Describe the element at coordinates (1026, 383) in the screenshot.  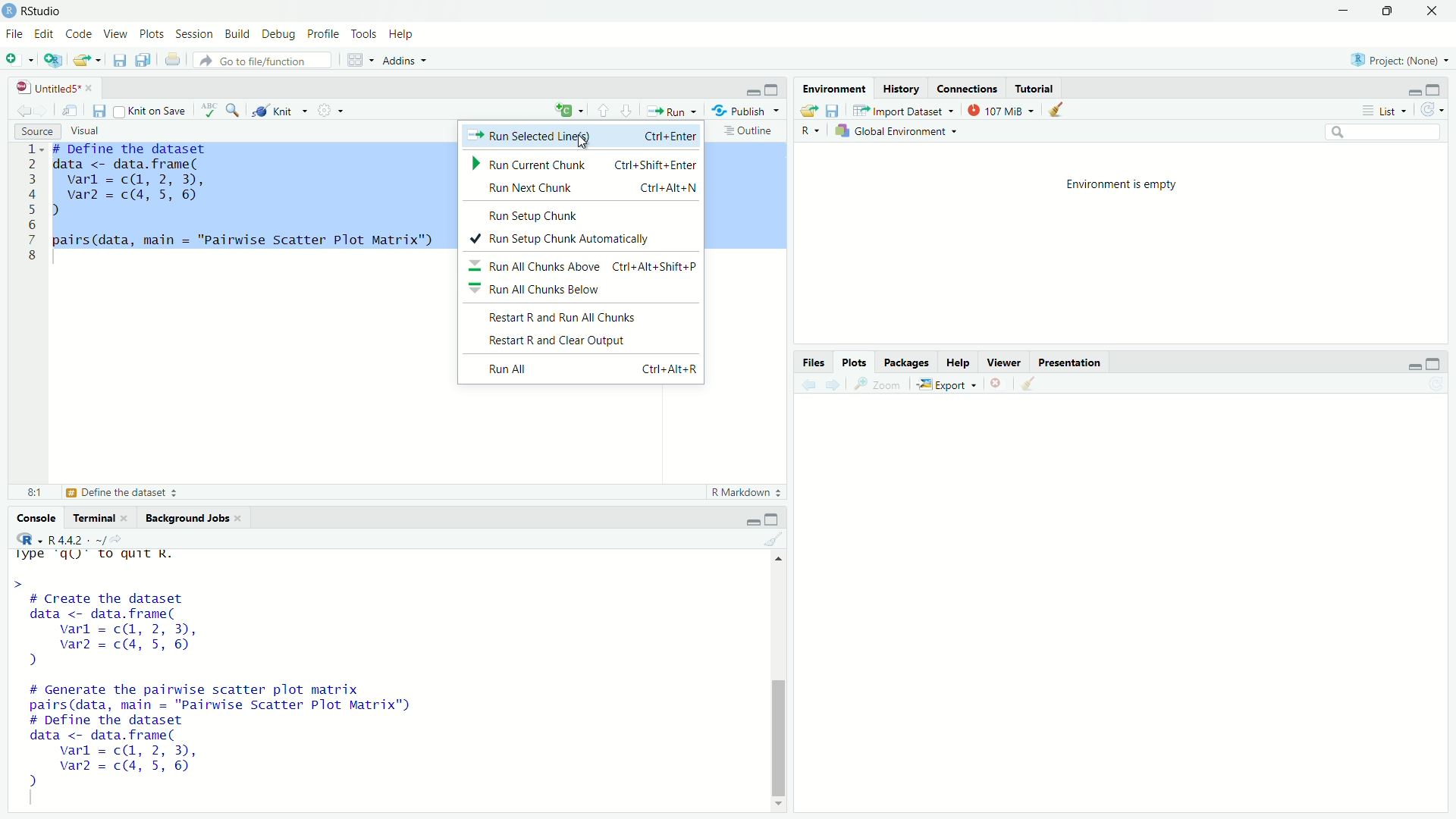
I see `Clear console (Ctrl +L)` at that location.